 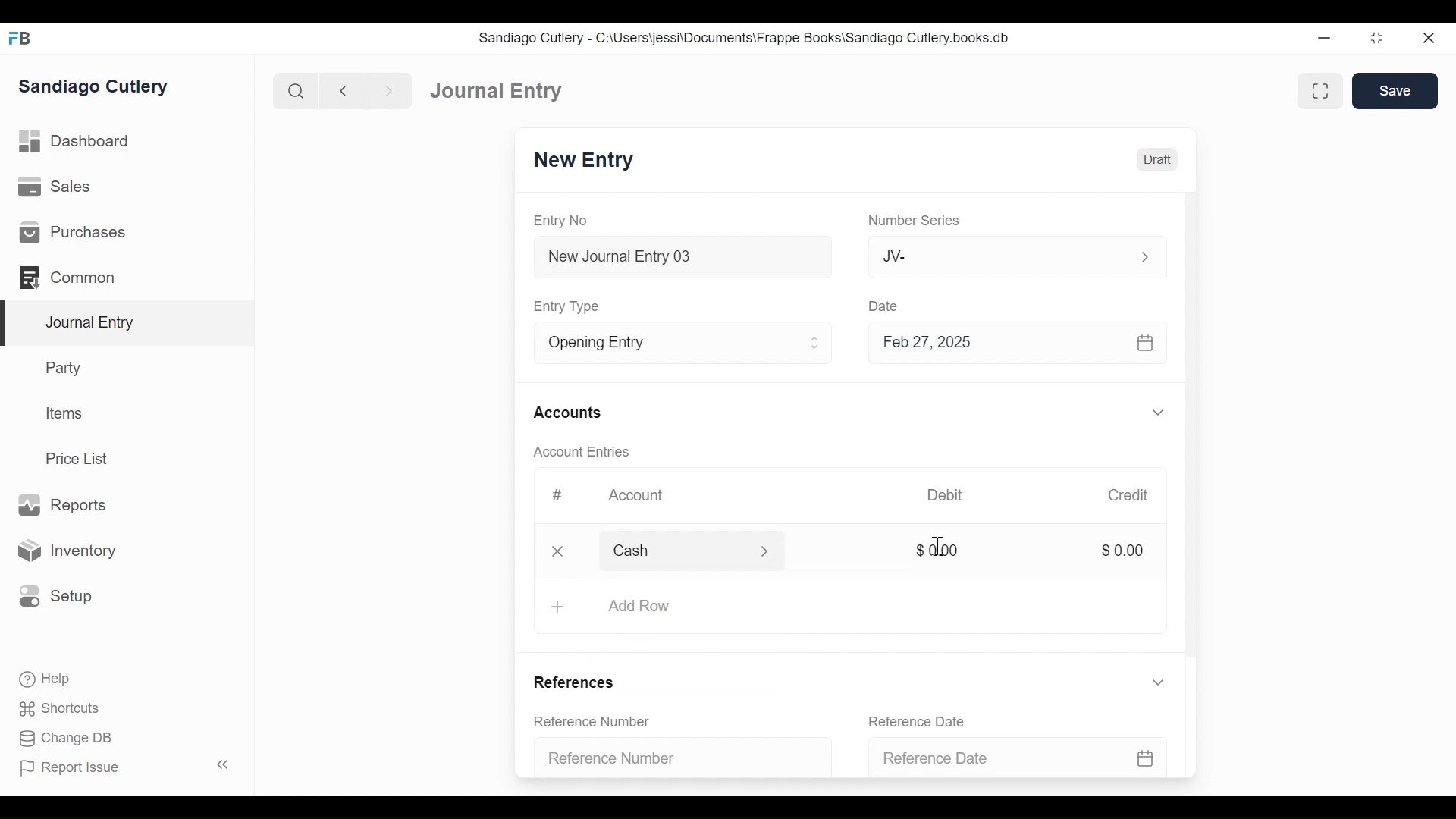 I want to click on Shortcuts, so click(x=61, y=711).